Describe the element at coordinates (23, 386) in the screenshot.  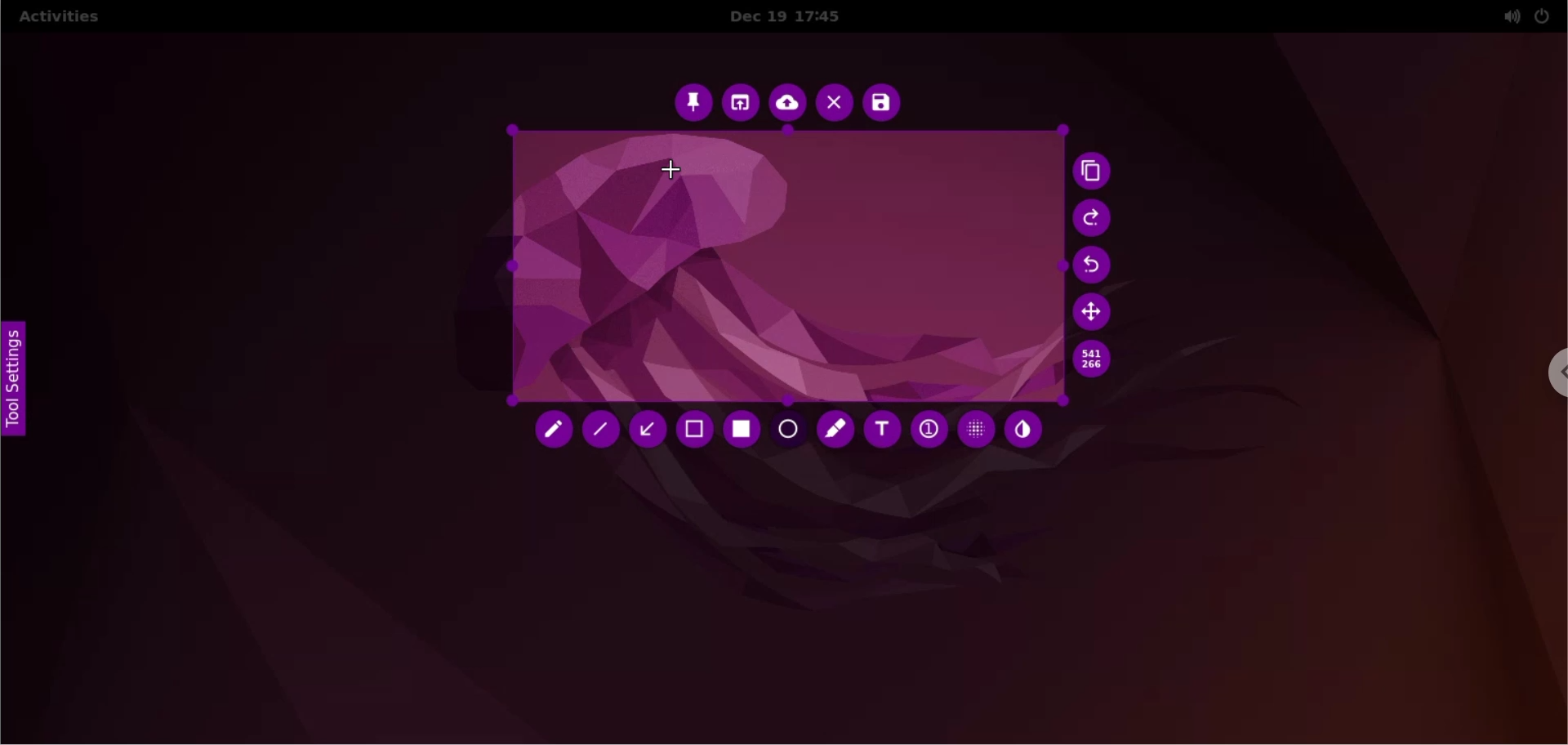
I see `tool settings` at that location.